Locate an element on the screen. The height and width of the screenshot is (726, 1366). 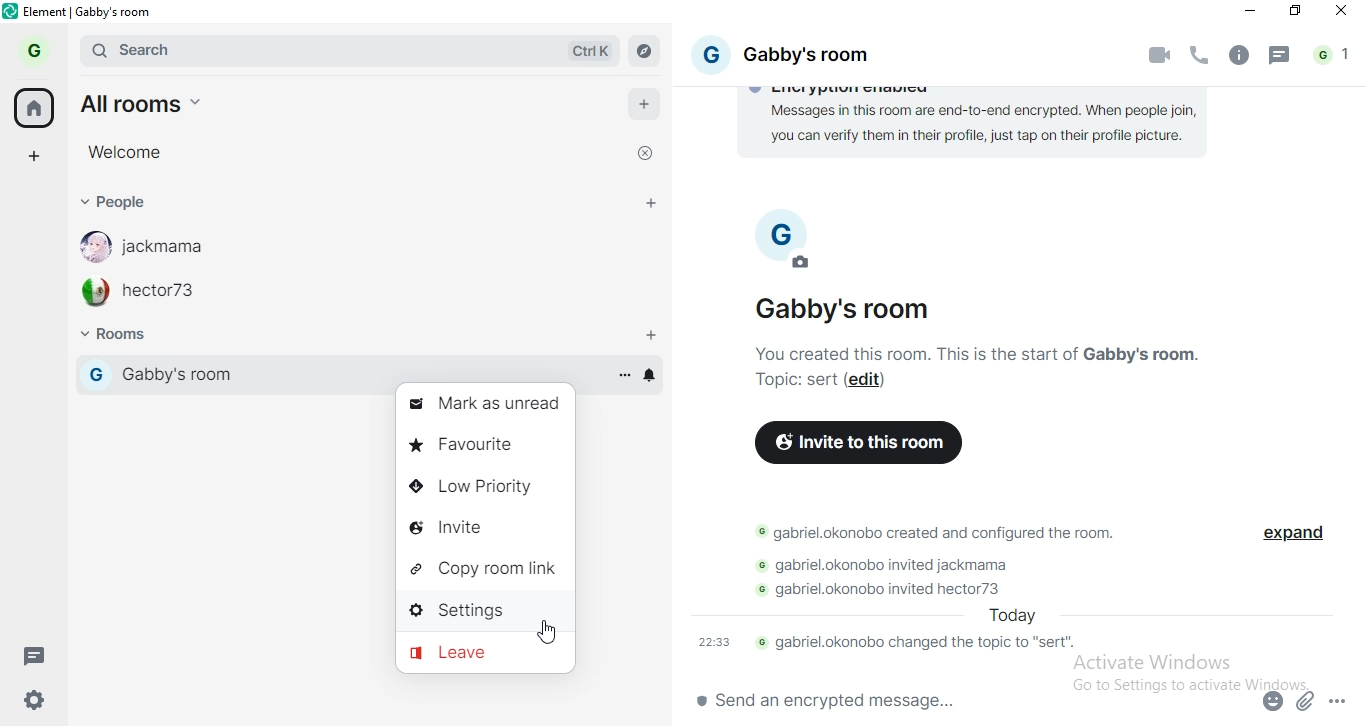
topic is located at coordinates (794, 381).